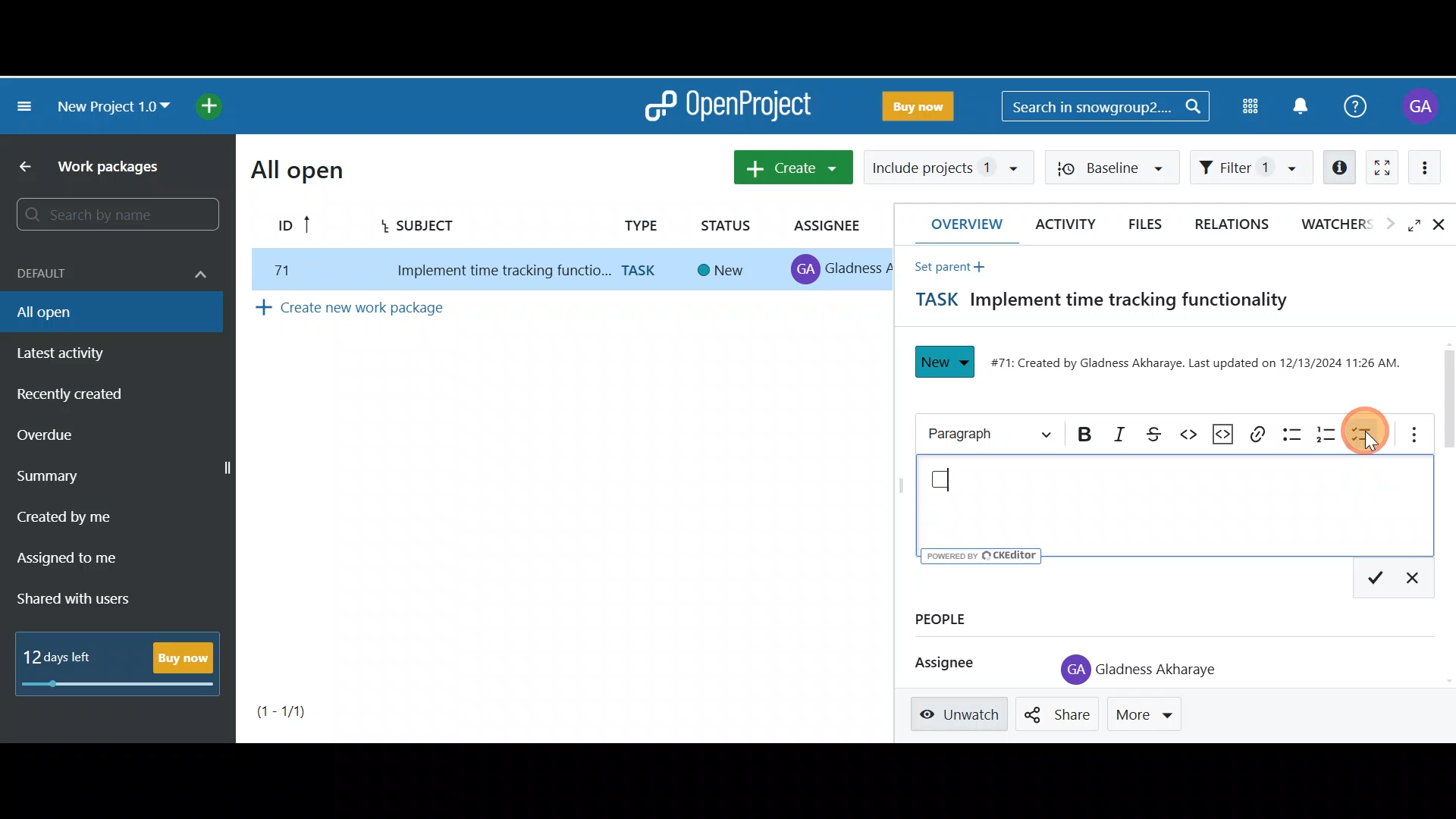 The width and height of the screenshot is (1456, 819). I want to click on Subject, so click(442, 230).